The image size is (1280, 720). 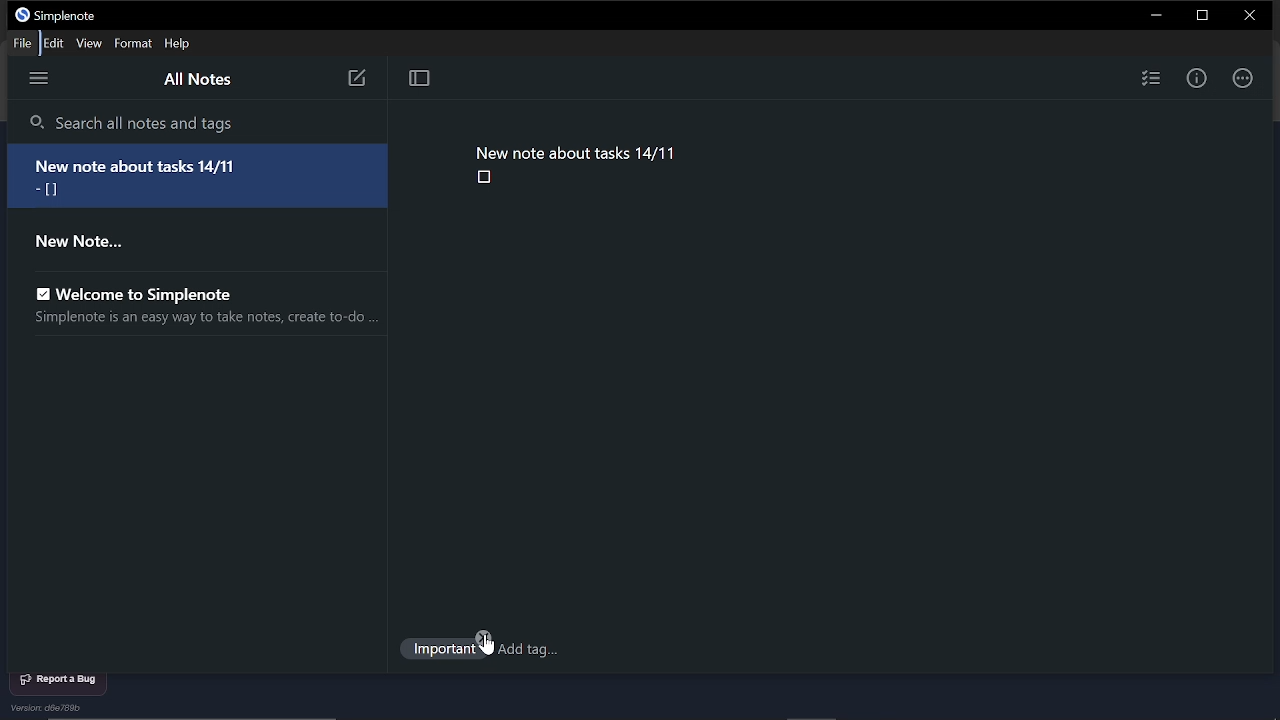 What do you see at coordinates (1154, 16) in the screenshot?
I see `Minimize` at bounding box center [1154, 16].